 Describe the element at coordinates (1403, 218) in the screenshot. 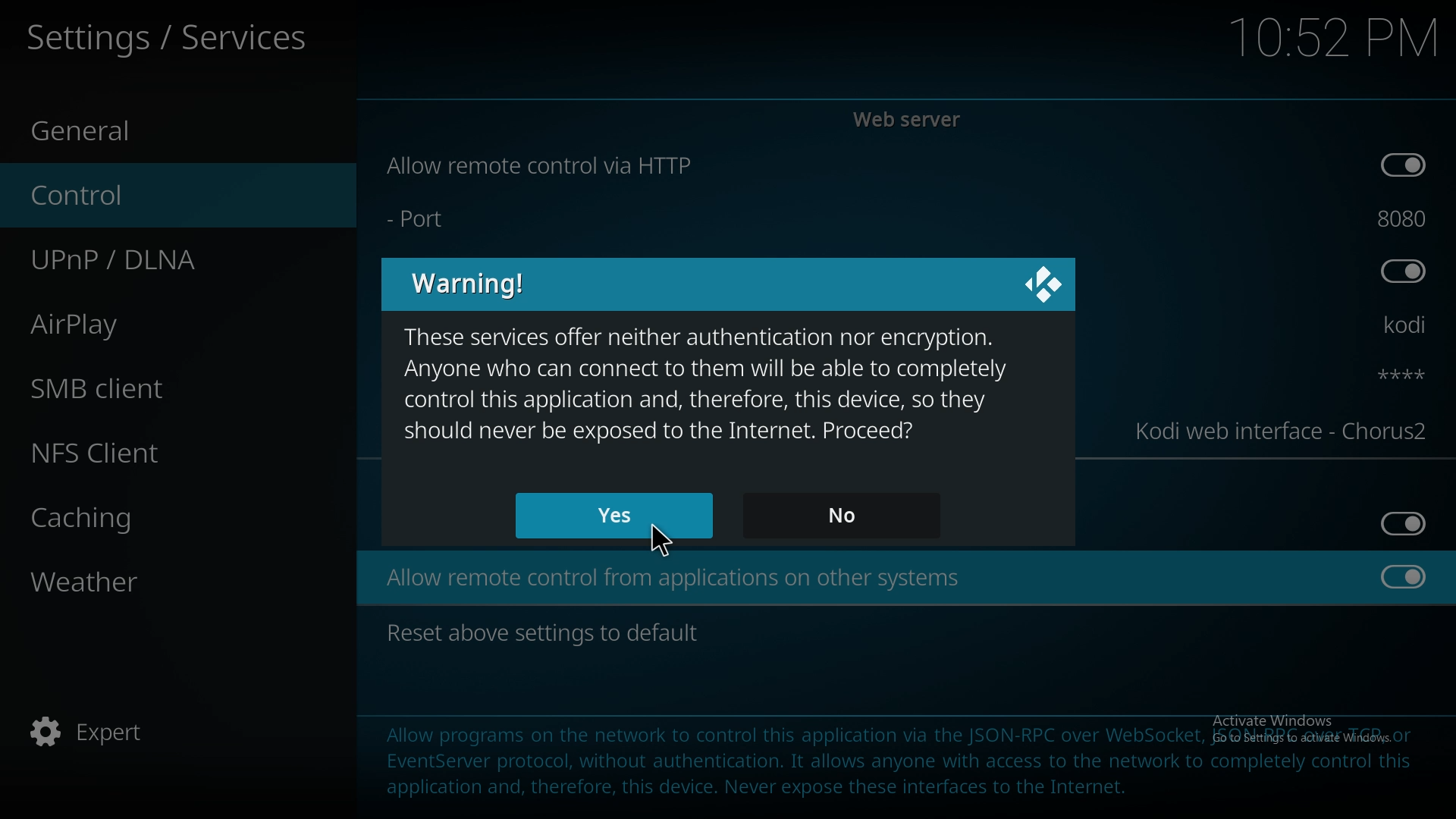

I see `port number` at that location.